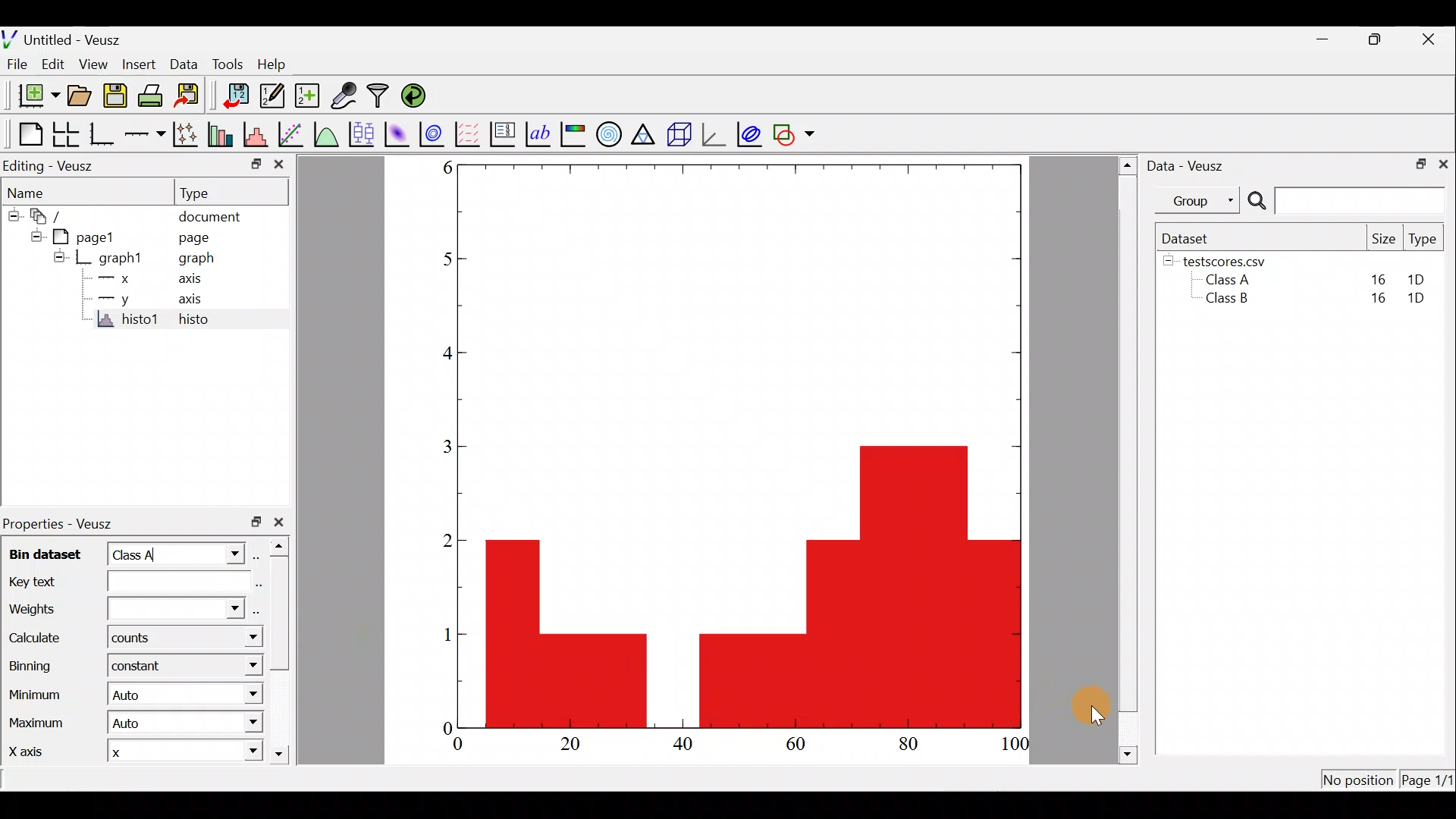 The width and height of the screenshot is (1456, 819). I want to click on Fit a function to data, so click(292, 133).